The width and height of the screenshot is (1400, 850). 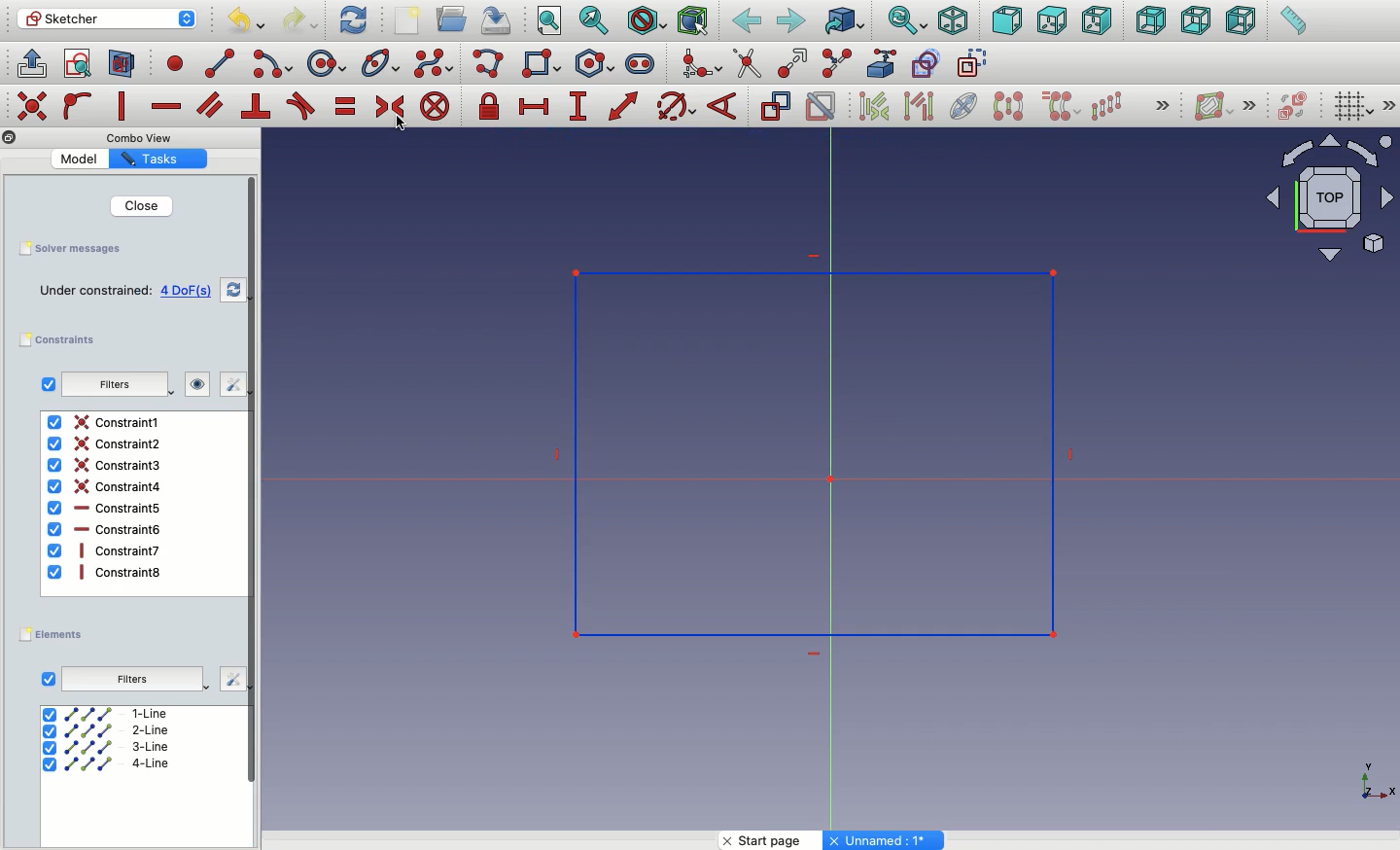 I want to click on Redo, so click(x=303, y=20).